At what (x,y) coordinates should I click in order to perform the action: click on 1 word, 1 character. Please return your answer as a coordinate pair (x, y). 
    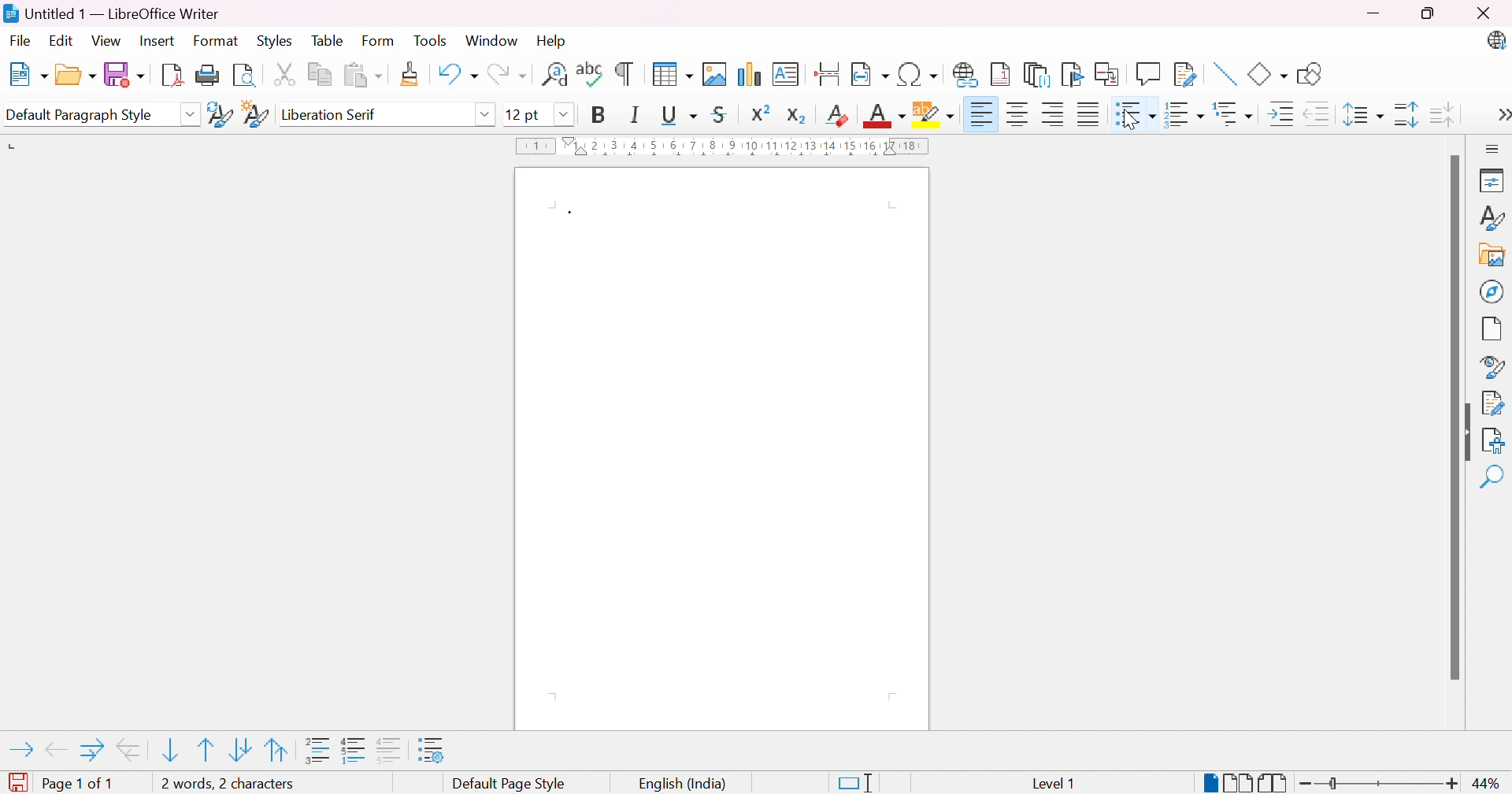
    Looking at the image, I should click on (223, 785).